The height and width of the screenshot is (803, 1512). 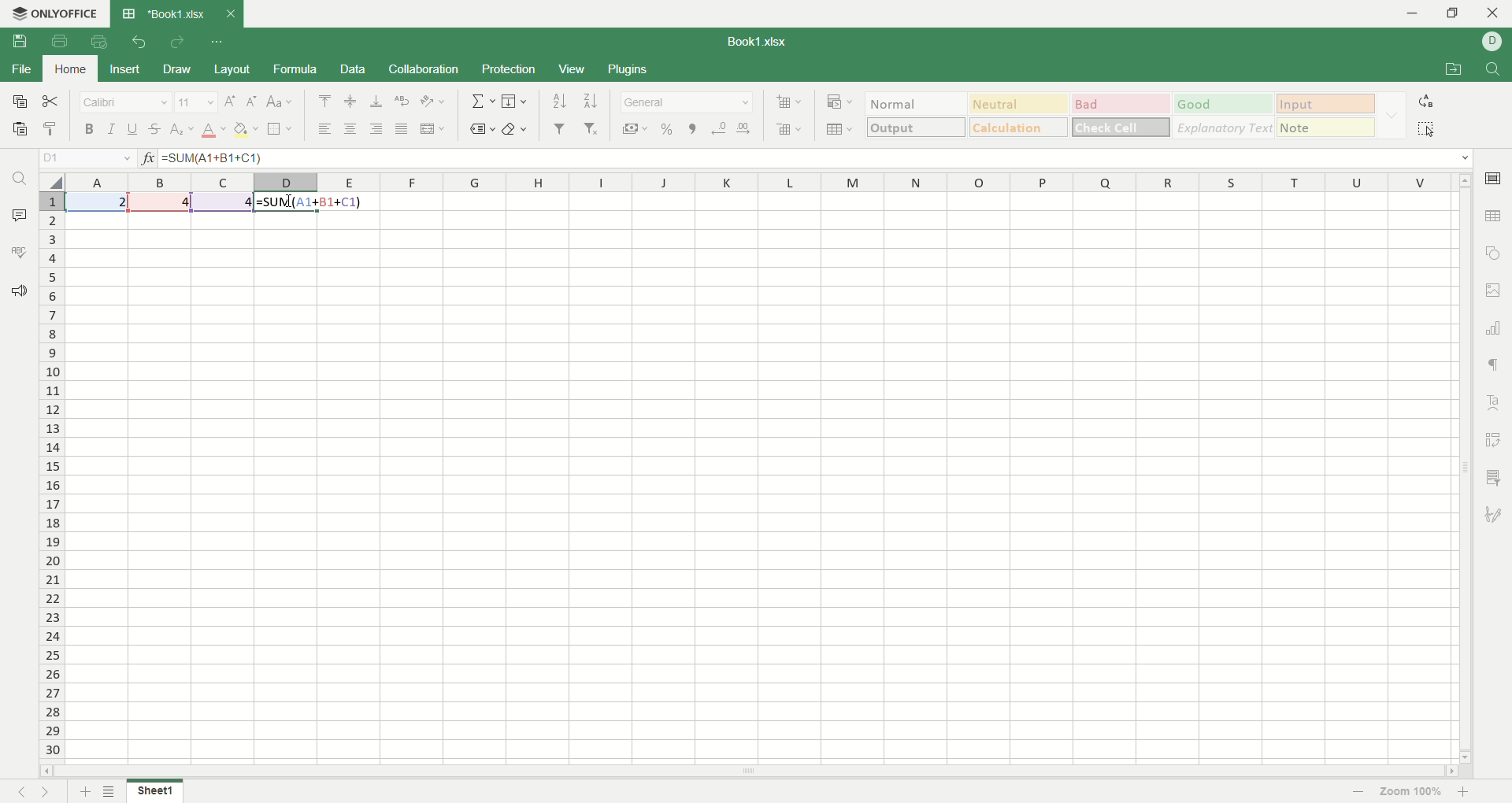 I want to click on clear, so click(x=517, y=128).